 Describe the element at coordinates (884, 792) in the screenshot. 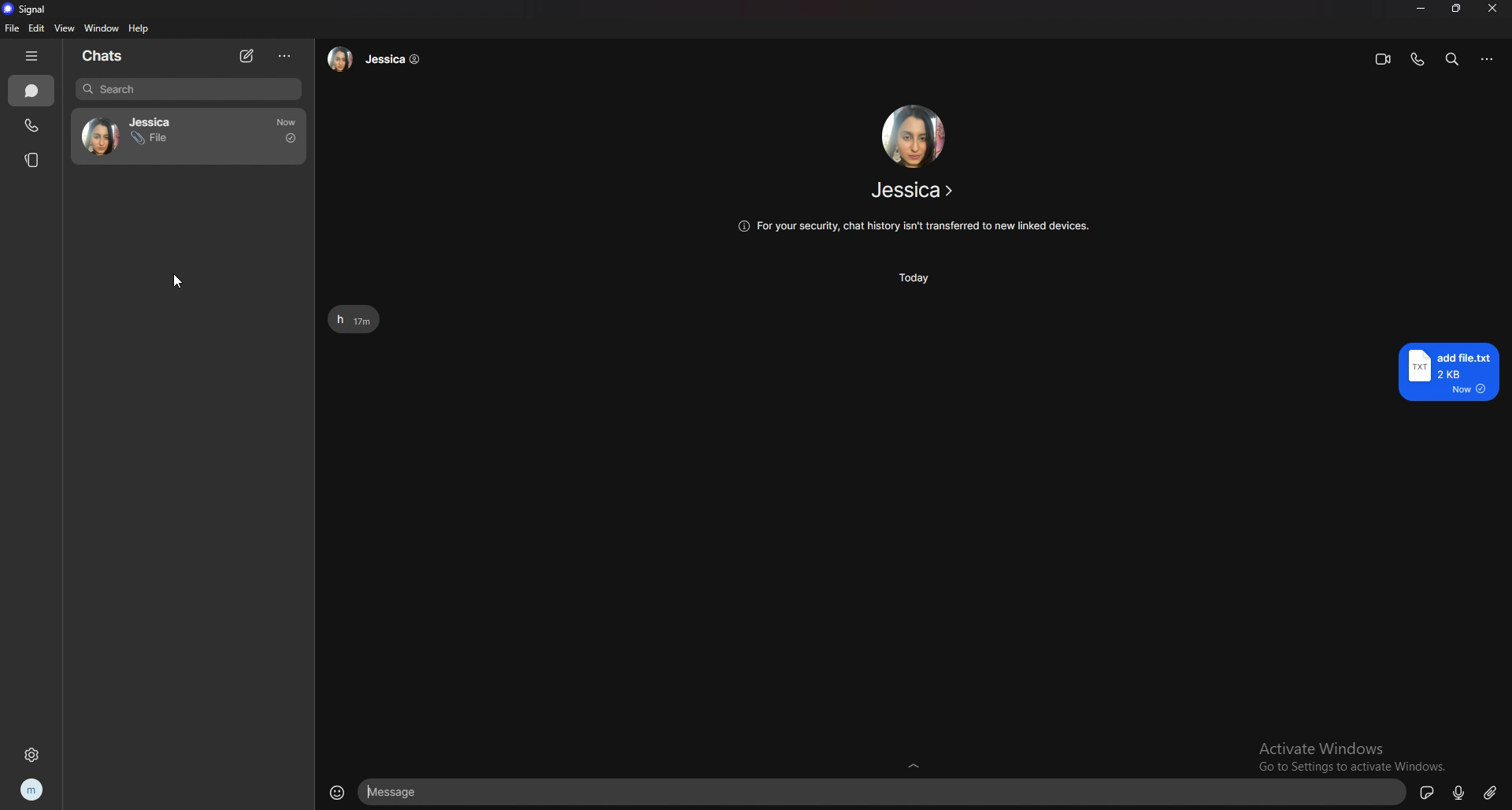

I see `text box` at that location.